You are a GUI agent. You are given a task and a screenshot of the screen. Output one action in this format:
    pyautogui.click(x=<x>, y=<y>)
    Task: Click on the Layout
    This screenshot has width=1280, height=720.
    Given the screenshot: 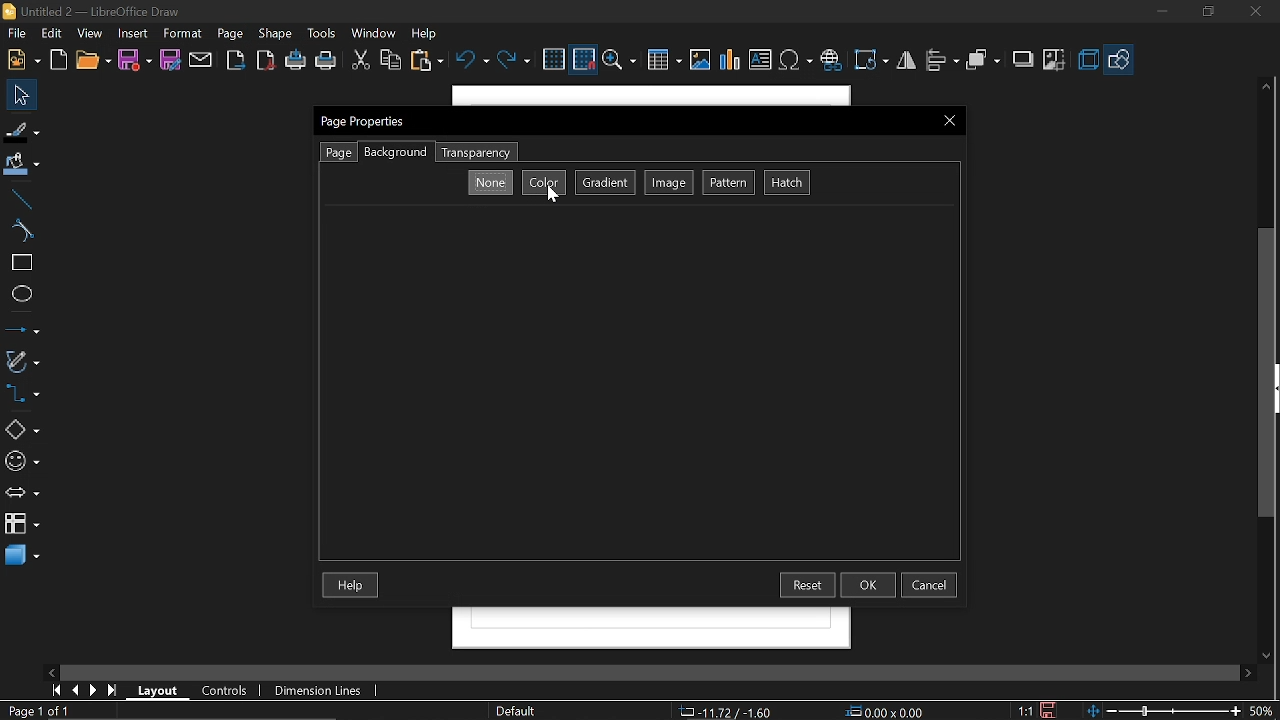 What is the action you would take?
    pyautogui.click(x=158, y=689)
    